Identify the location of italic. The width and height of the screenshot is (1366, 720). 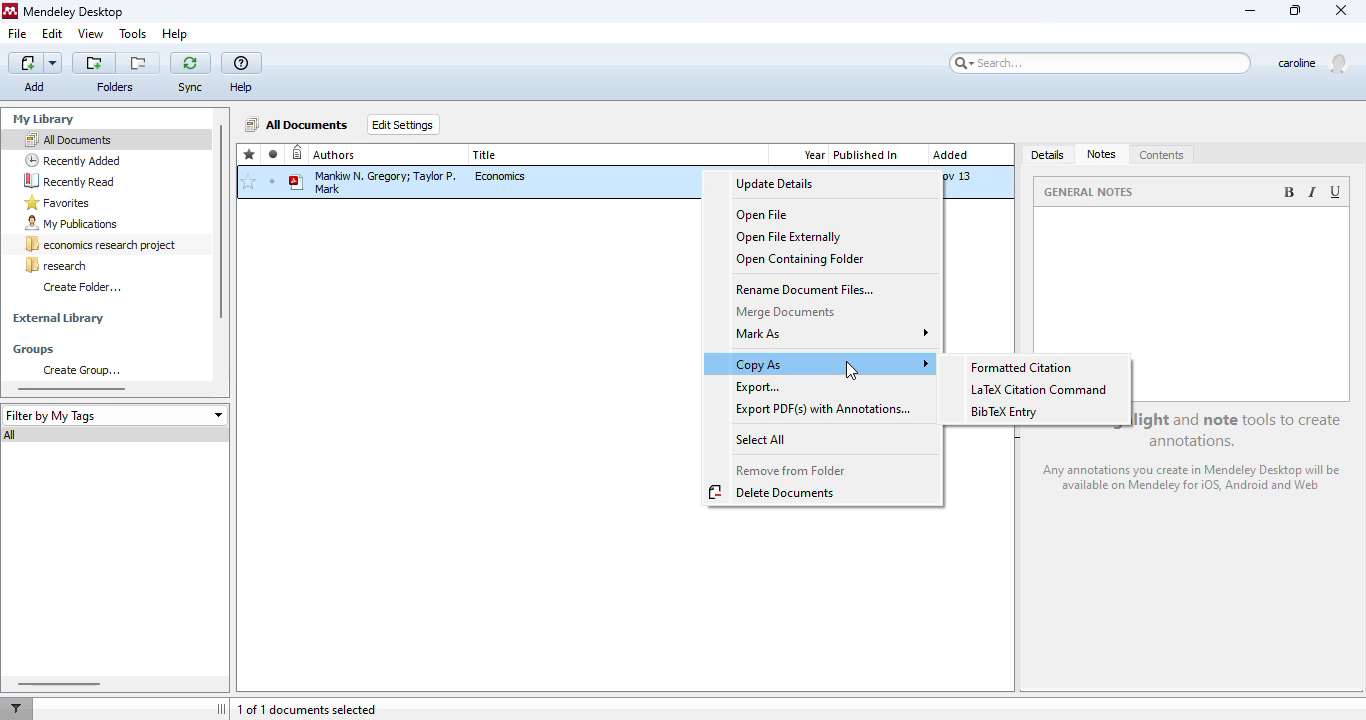
(1311, 192).